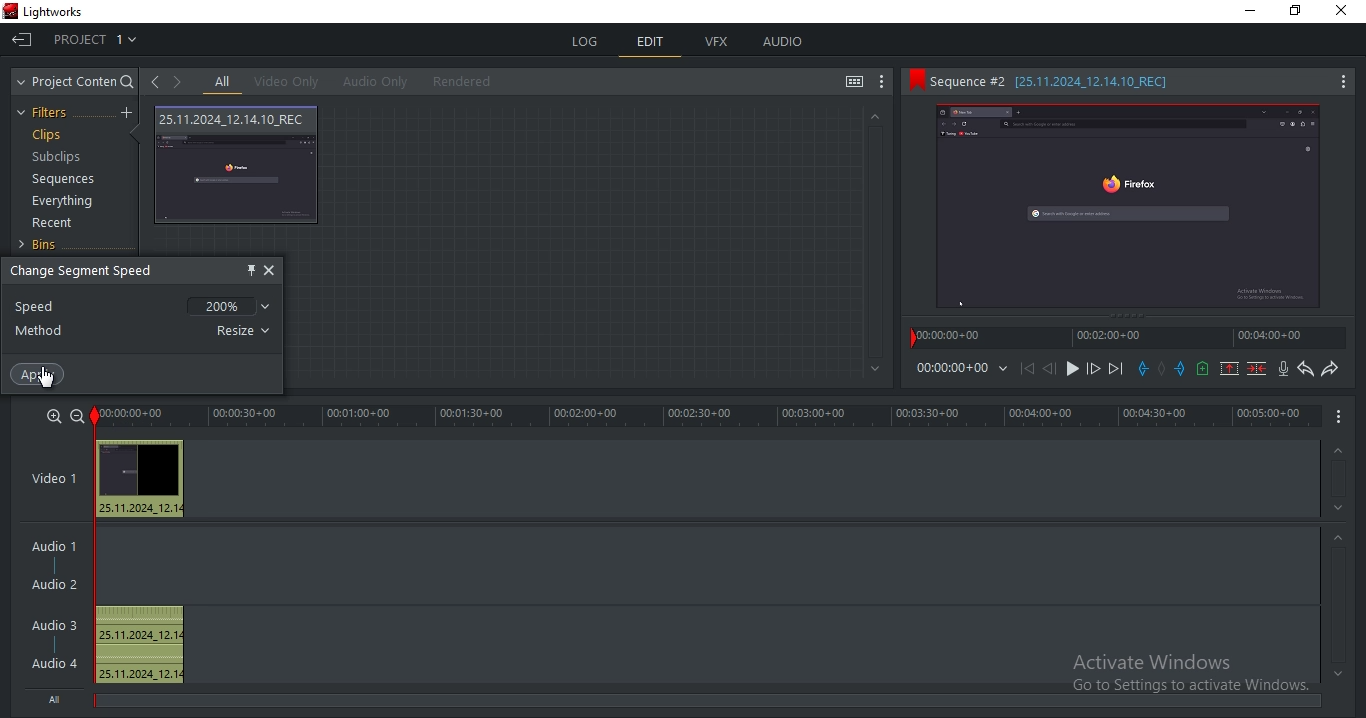 This screenshot has width=1366, height=718. What do you see at coordinates (1130, 341) in the screenshot?
I see `timeline` at bounding box center [1130, 341].